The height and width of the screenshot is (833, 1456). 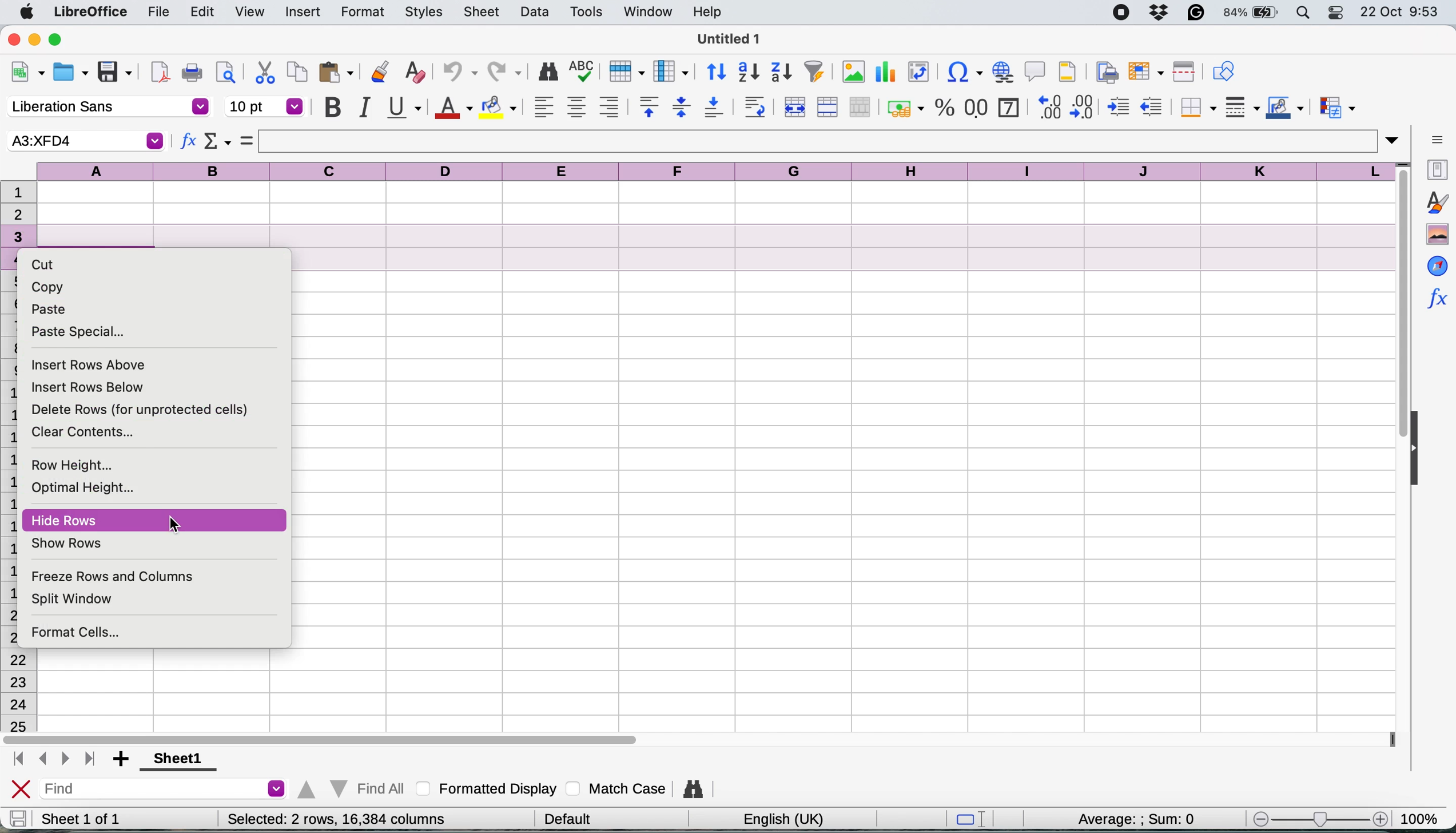 What do you see at coordinates (960, 74) in the screenshot?
I see `insert hyperlink` at bounding box center [960, 74].